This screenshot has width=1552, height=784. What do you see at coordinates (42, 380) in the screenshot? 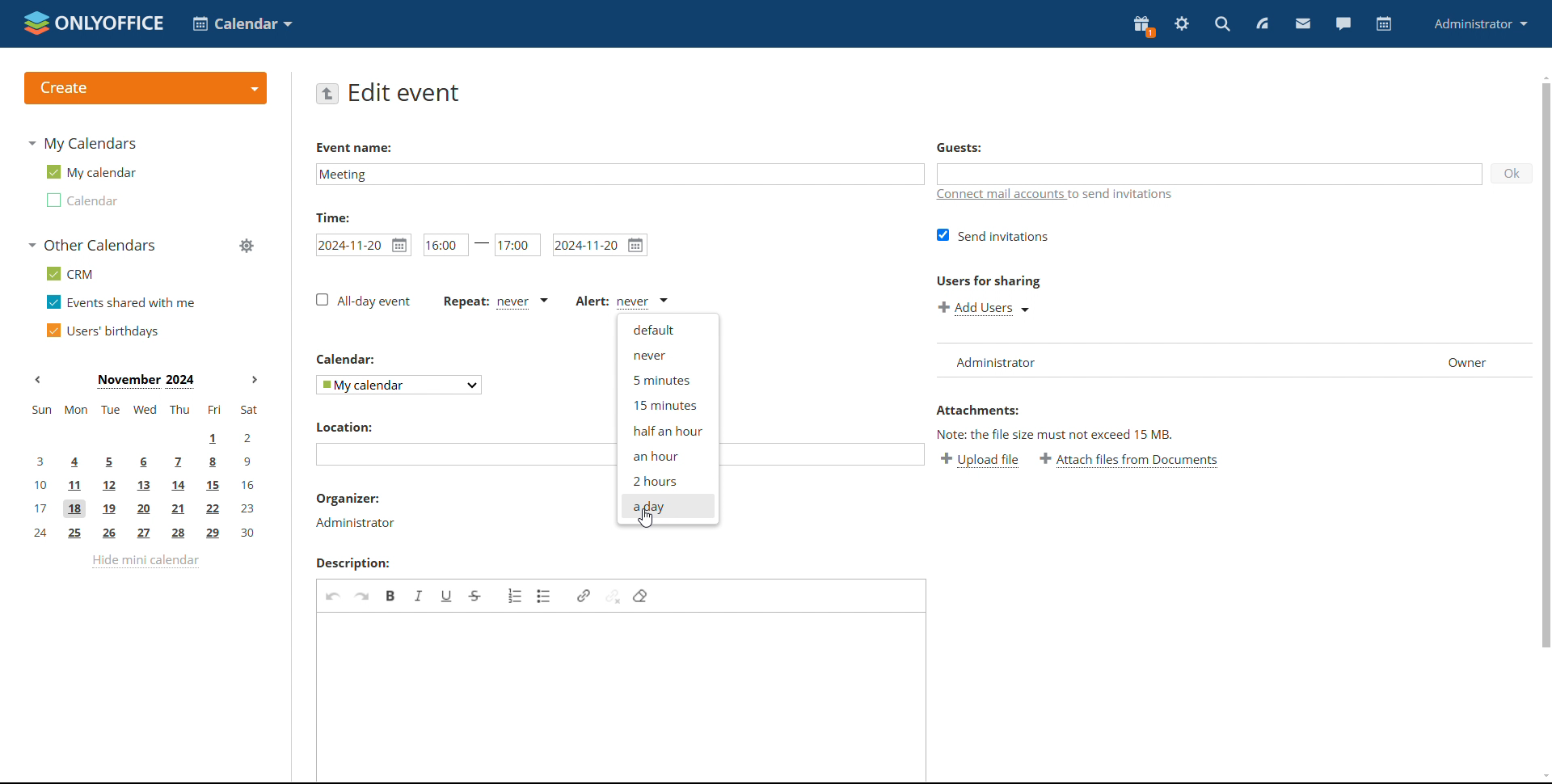
I see `previous month` at bounding box center [42, 380].